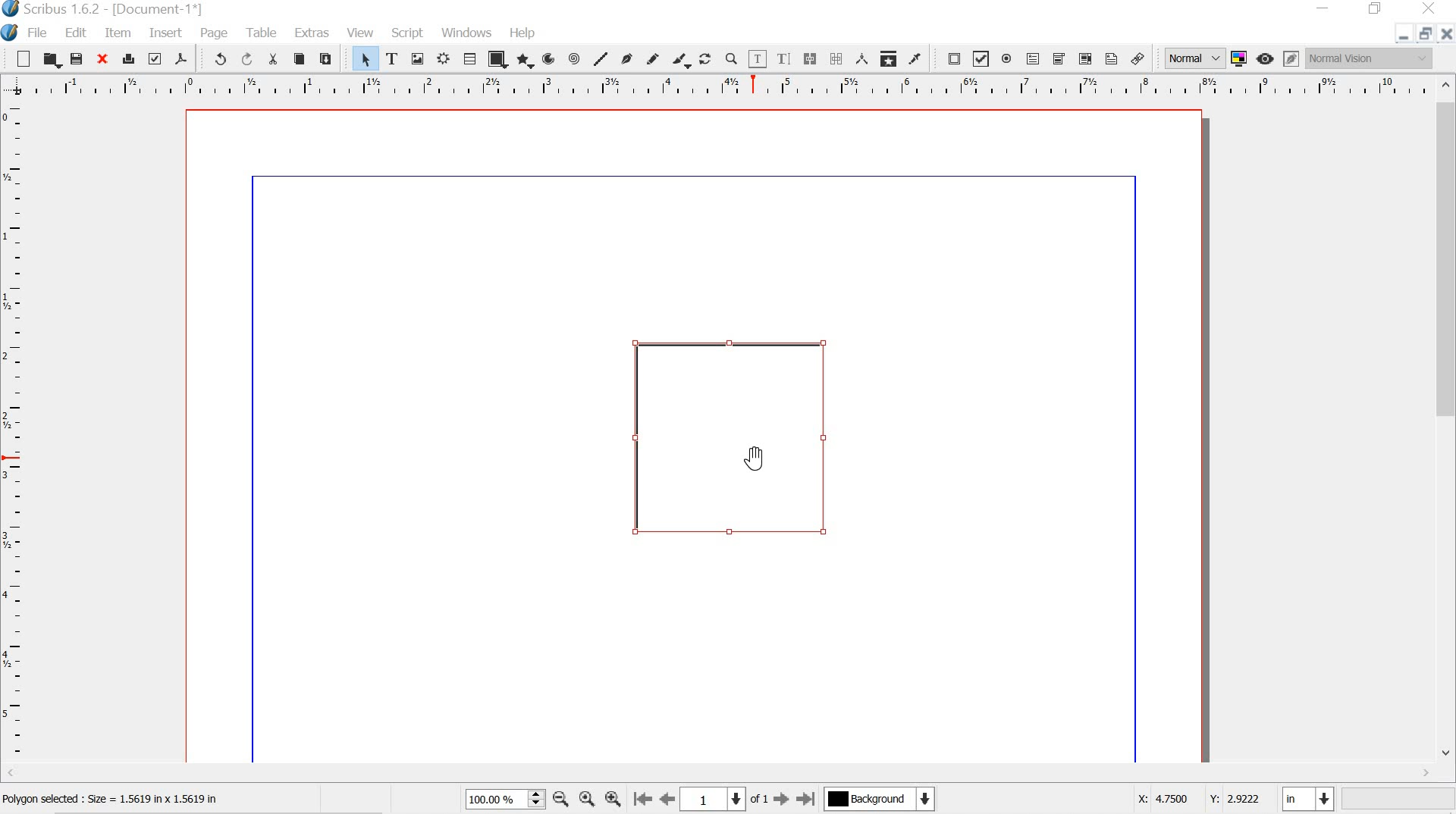  I want to click on unlink text frames, so click(836, 57).